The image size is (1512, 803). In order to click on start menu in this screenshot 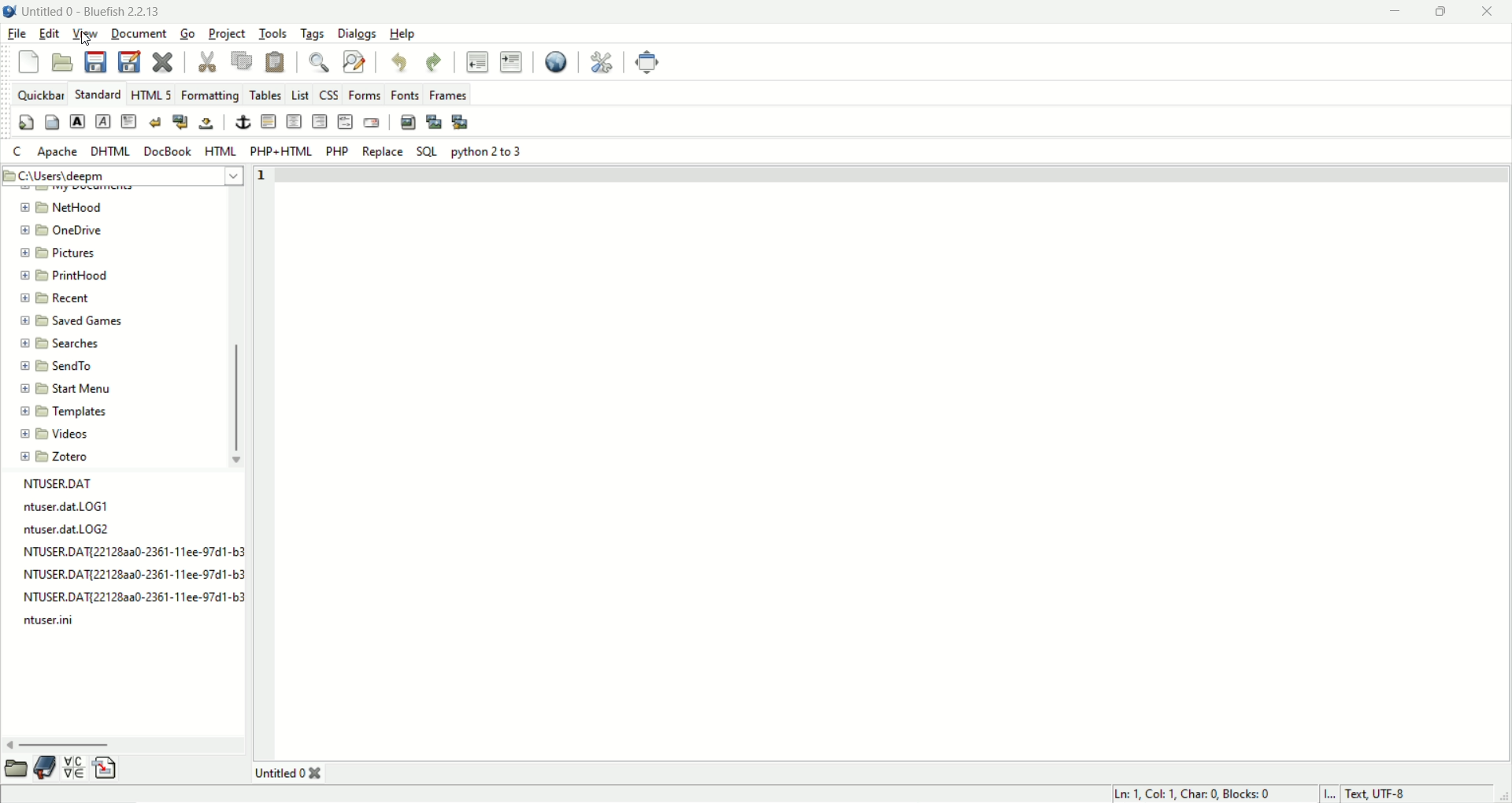, I will do `click(66, 390)`.